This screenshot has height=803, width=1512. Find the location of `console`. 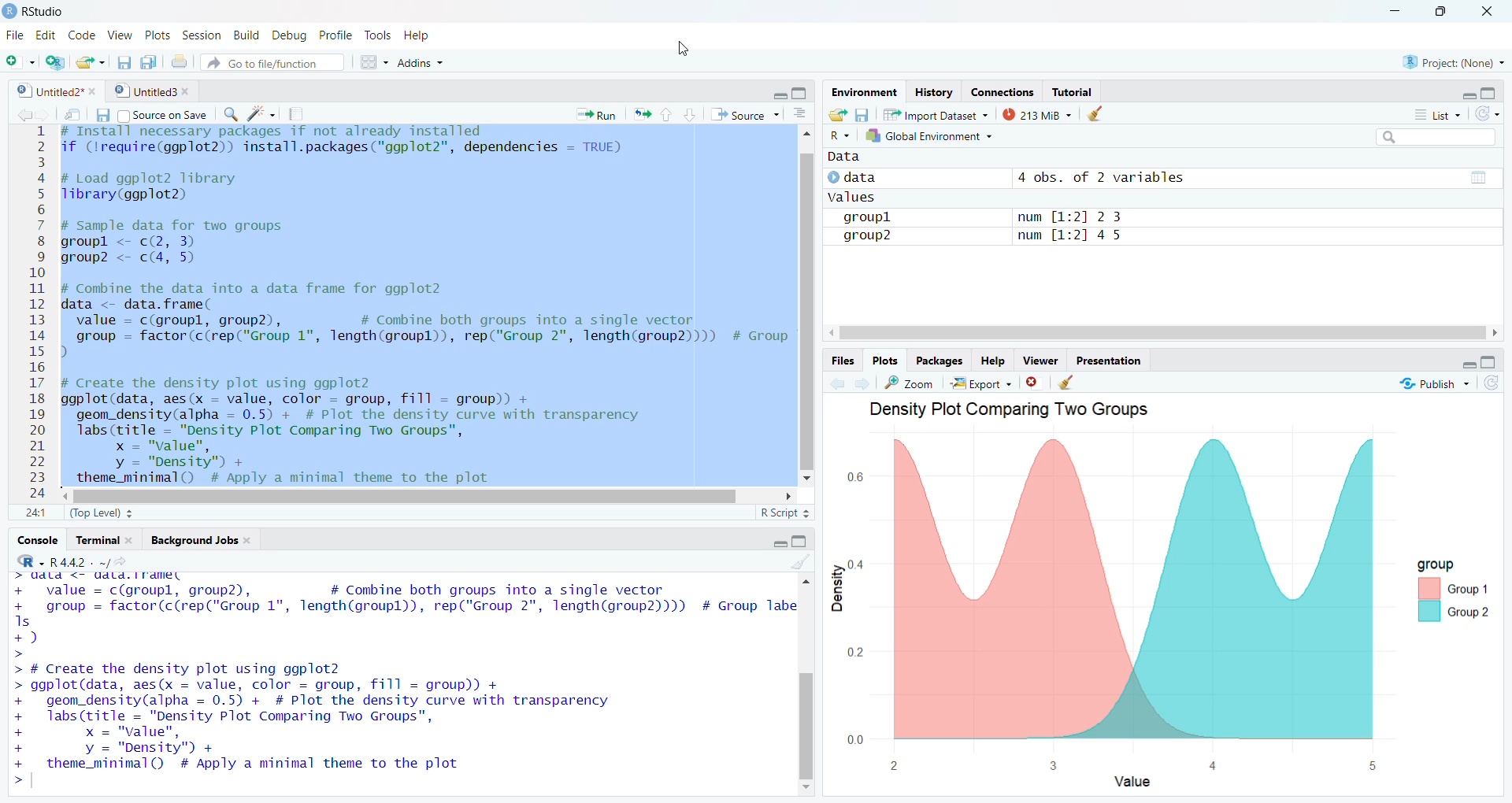

console is located at coordinates (33, 540).